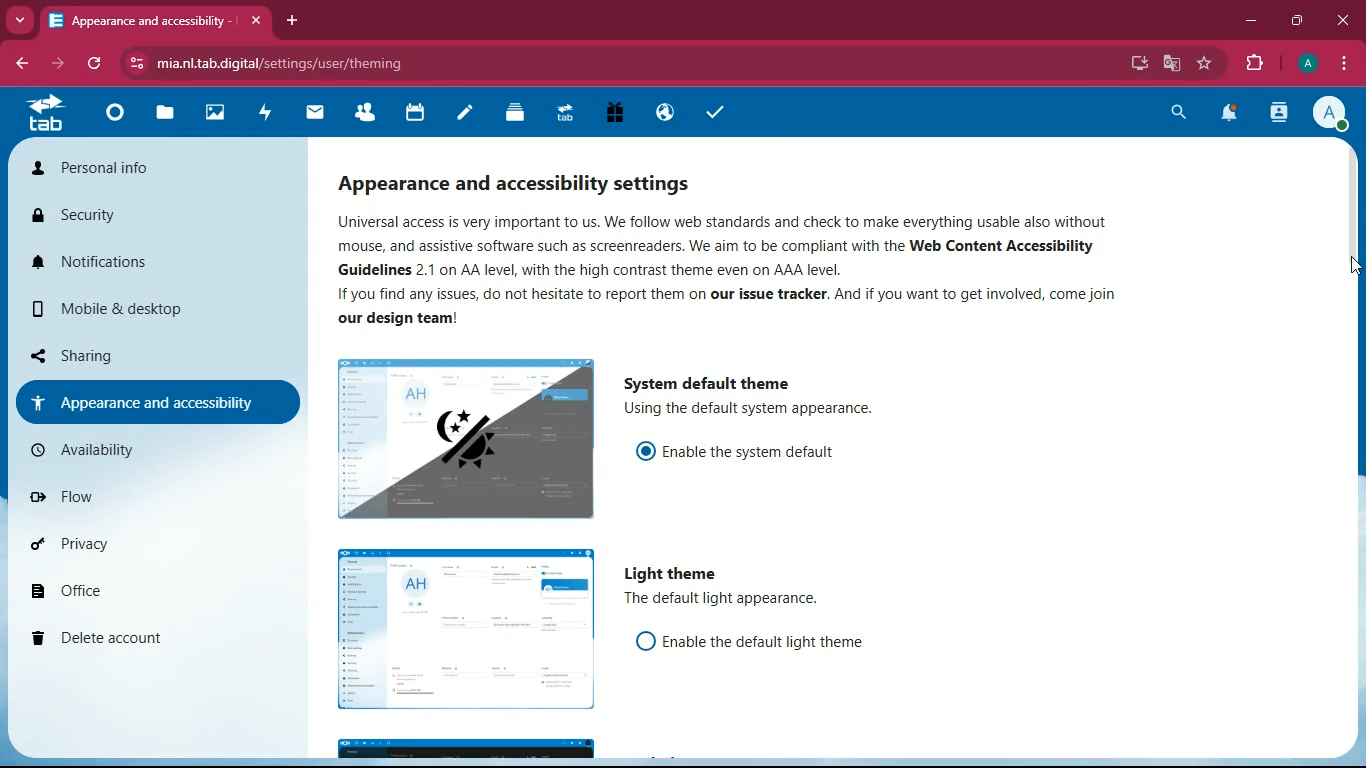 Image resolution: width=1366 pixels, height=768 pixels. Describe the element at coordinates (266, 114) in the screenshot. I see `activity` at that location.